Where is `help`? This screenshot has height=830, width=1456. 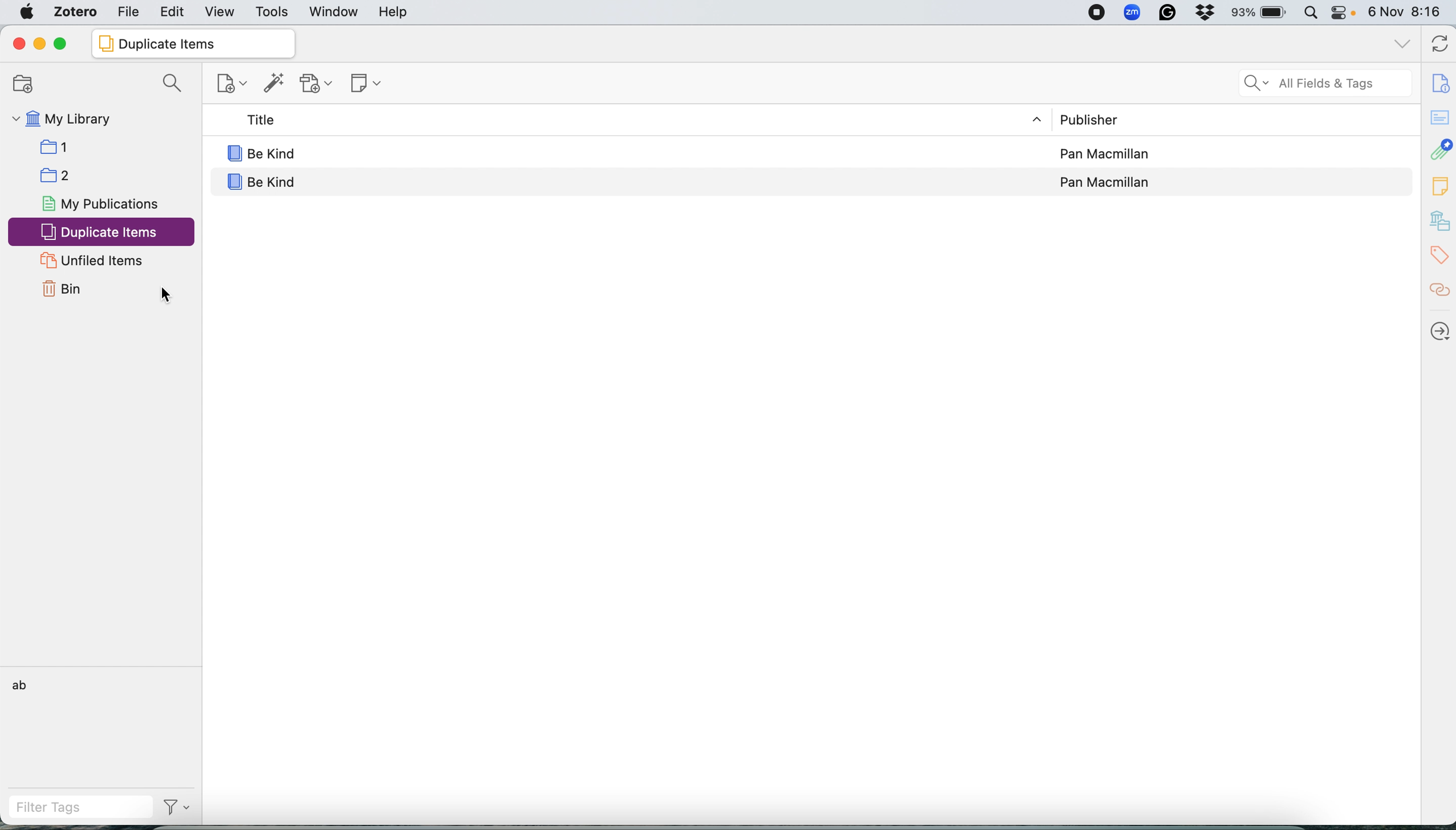 help is located at coordinates (395, 12).